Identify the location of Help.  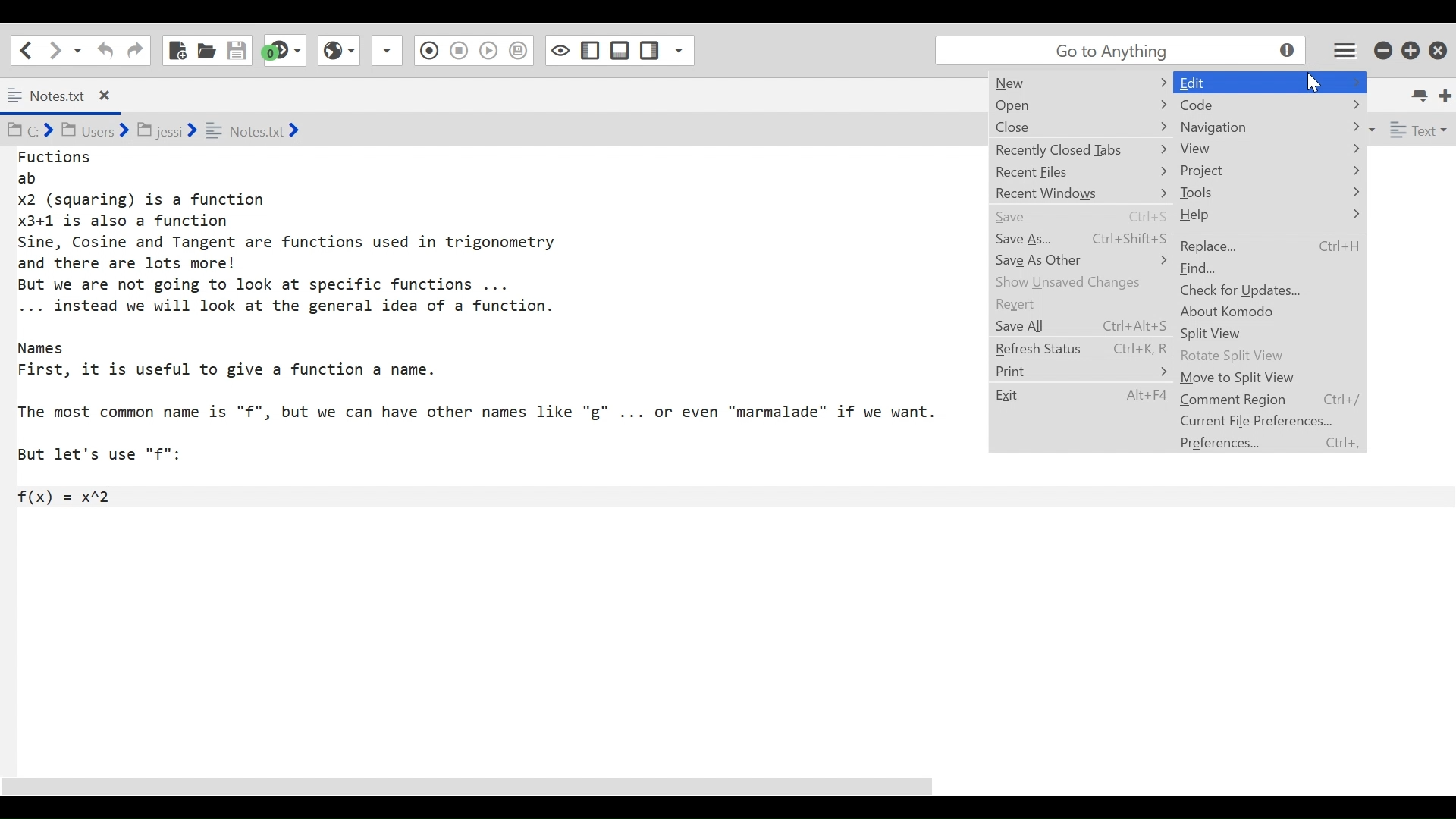
(1241, 216).